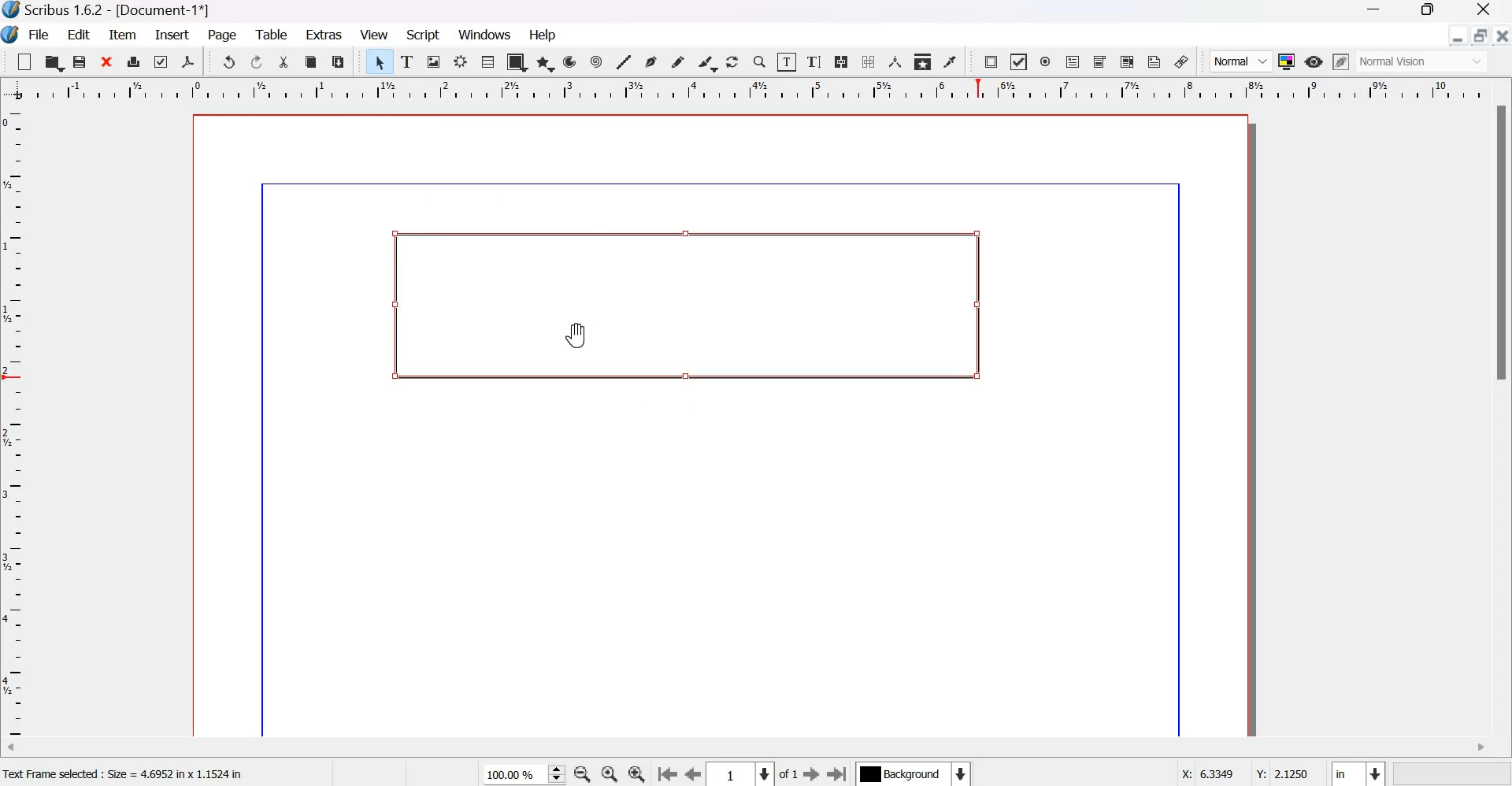  Describe the element at coordinates (579, 334) in the screenshot. I see `cursor` at that location.